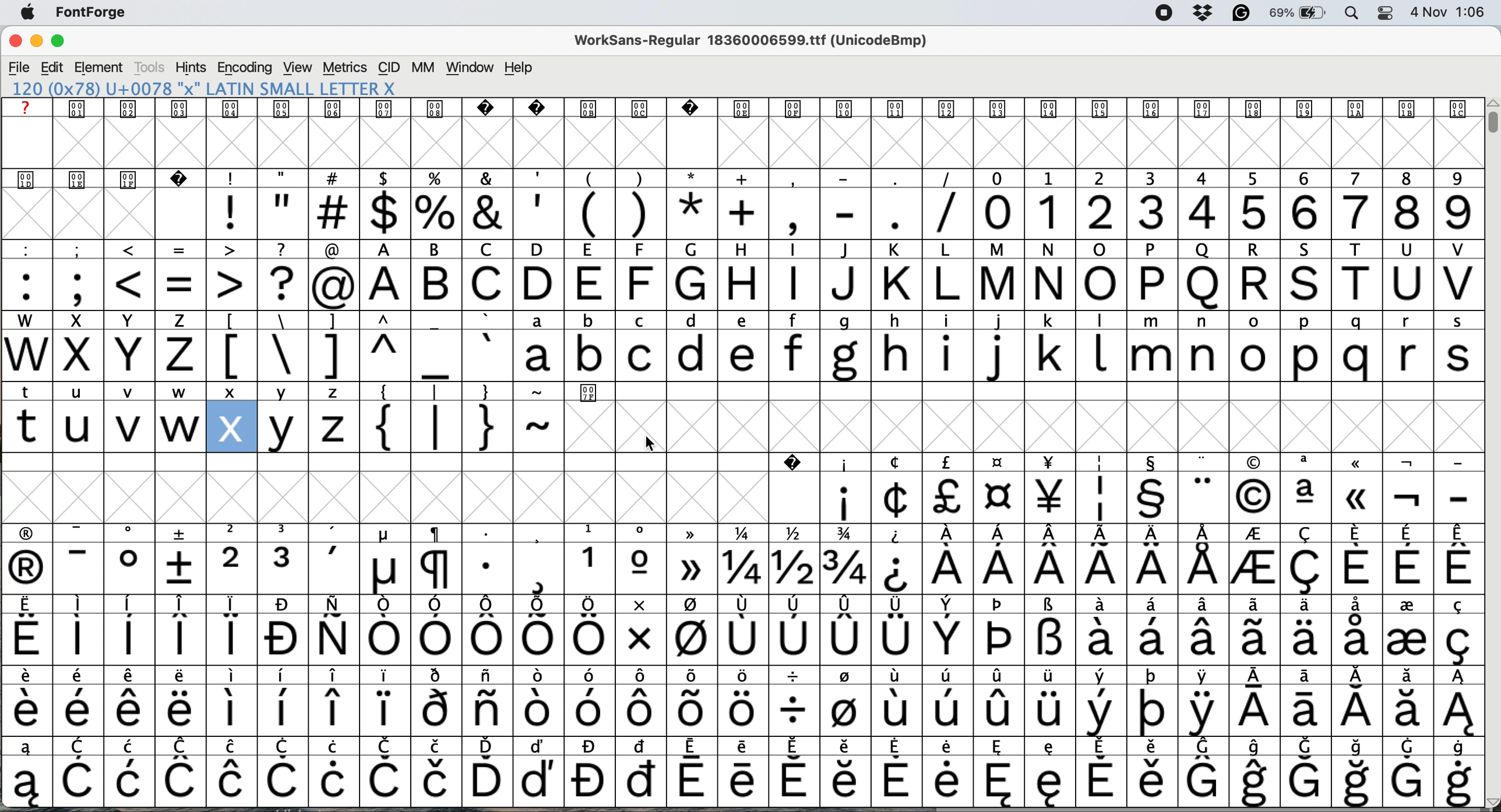 The image size is (1501, 812). Describe the element at coordinates (35, 43) in the screenshot. I see `minimise` at that location.